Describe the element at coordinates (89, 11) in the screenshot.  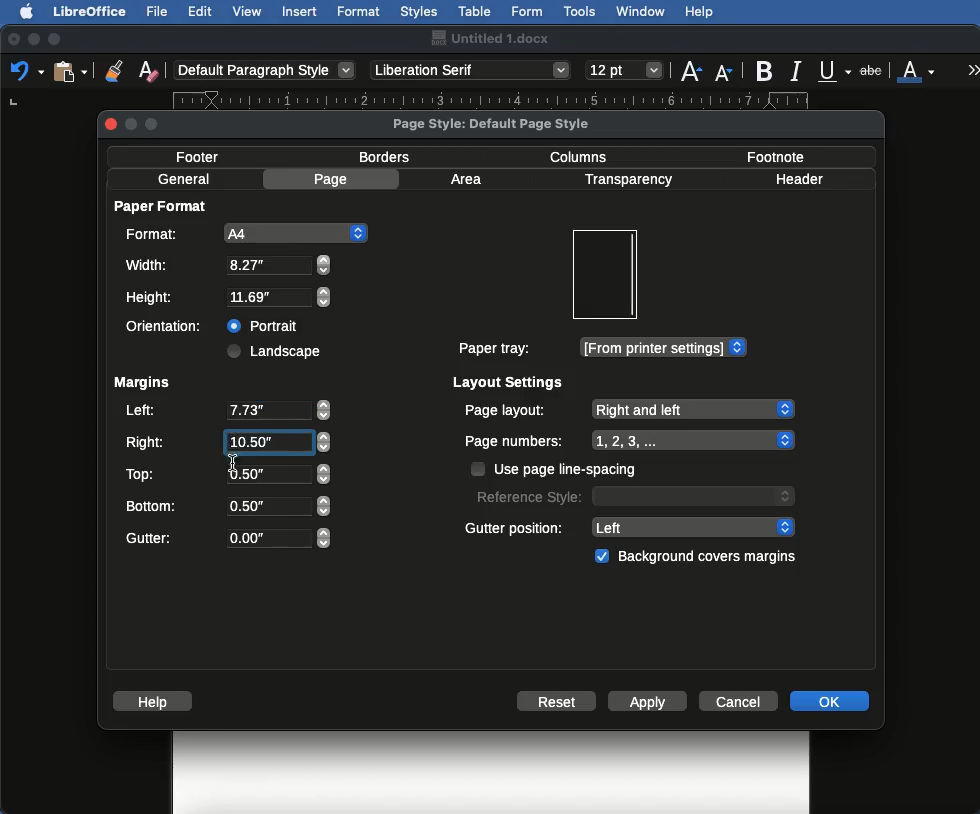
I see `LibreOffice` at that location.